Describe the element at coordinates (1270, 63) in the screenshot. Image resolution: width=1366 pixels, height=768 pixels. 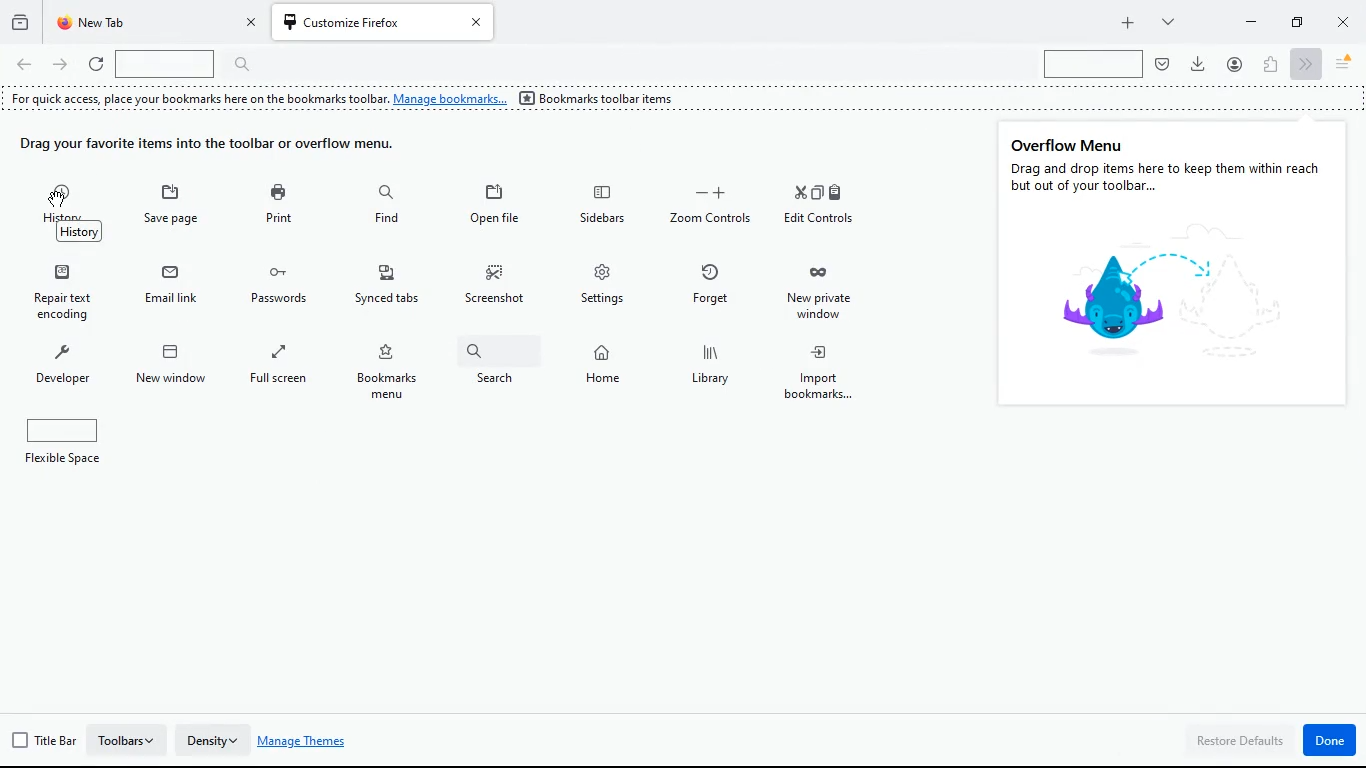
I see `extensions` at that location.